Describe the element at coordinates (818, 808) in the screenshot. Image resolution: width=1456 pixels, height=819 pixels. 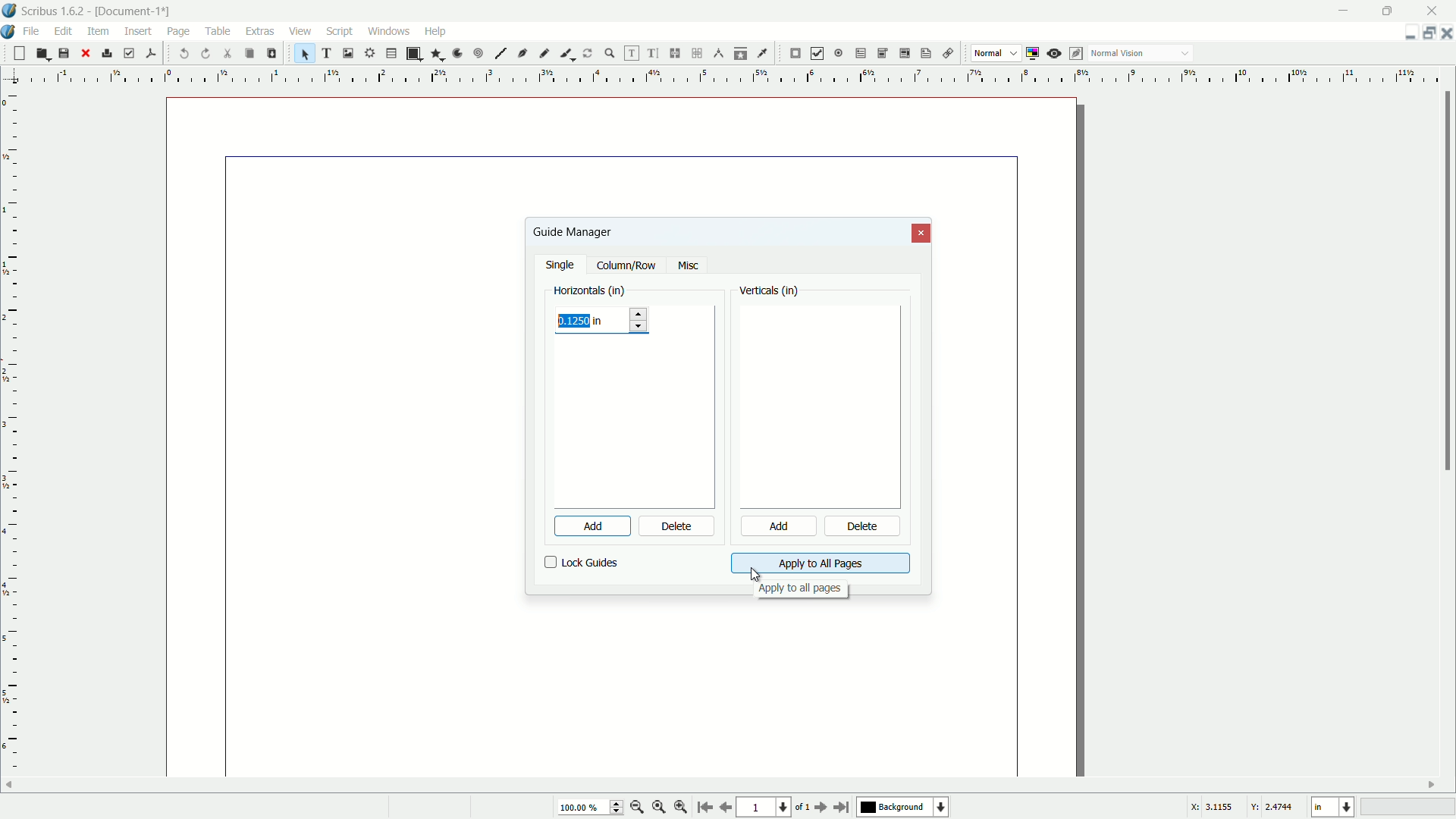
I see `go to next page` at that location.